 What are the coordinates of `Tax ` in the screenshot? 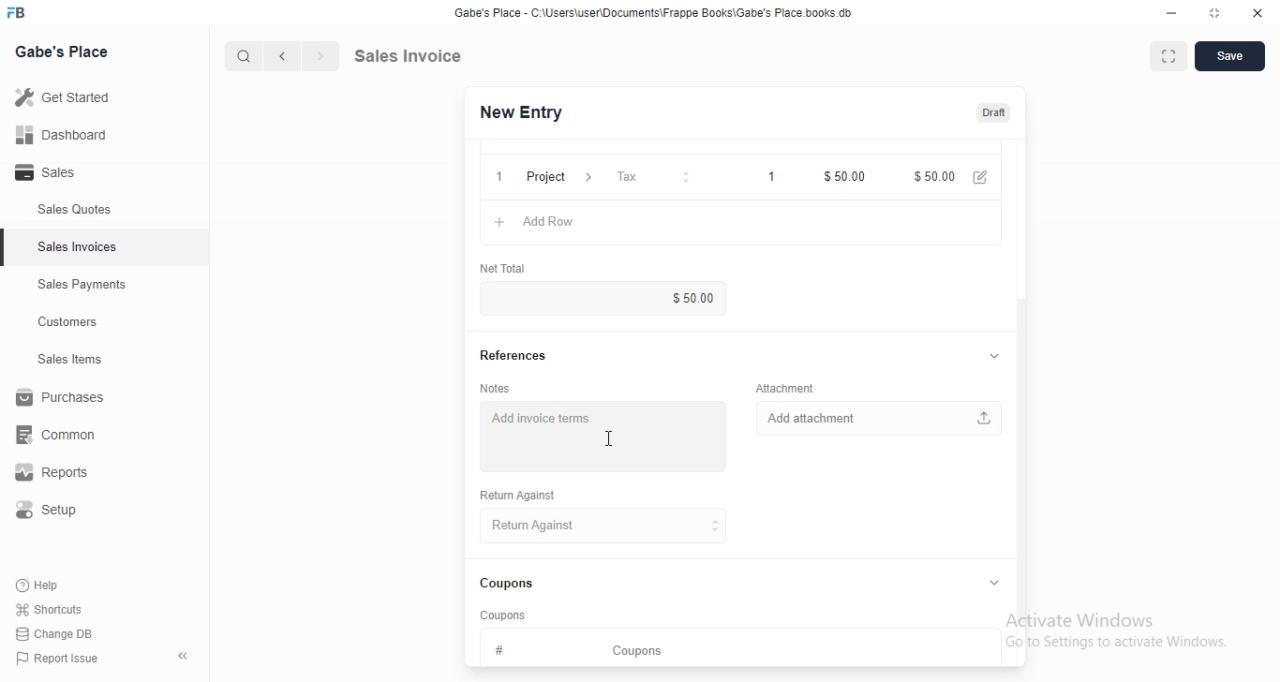 It's located at (646, 176).